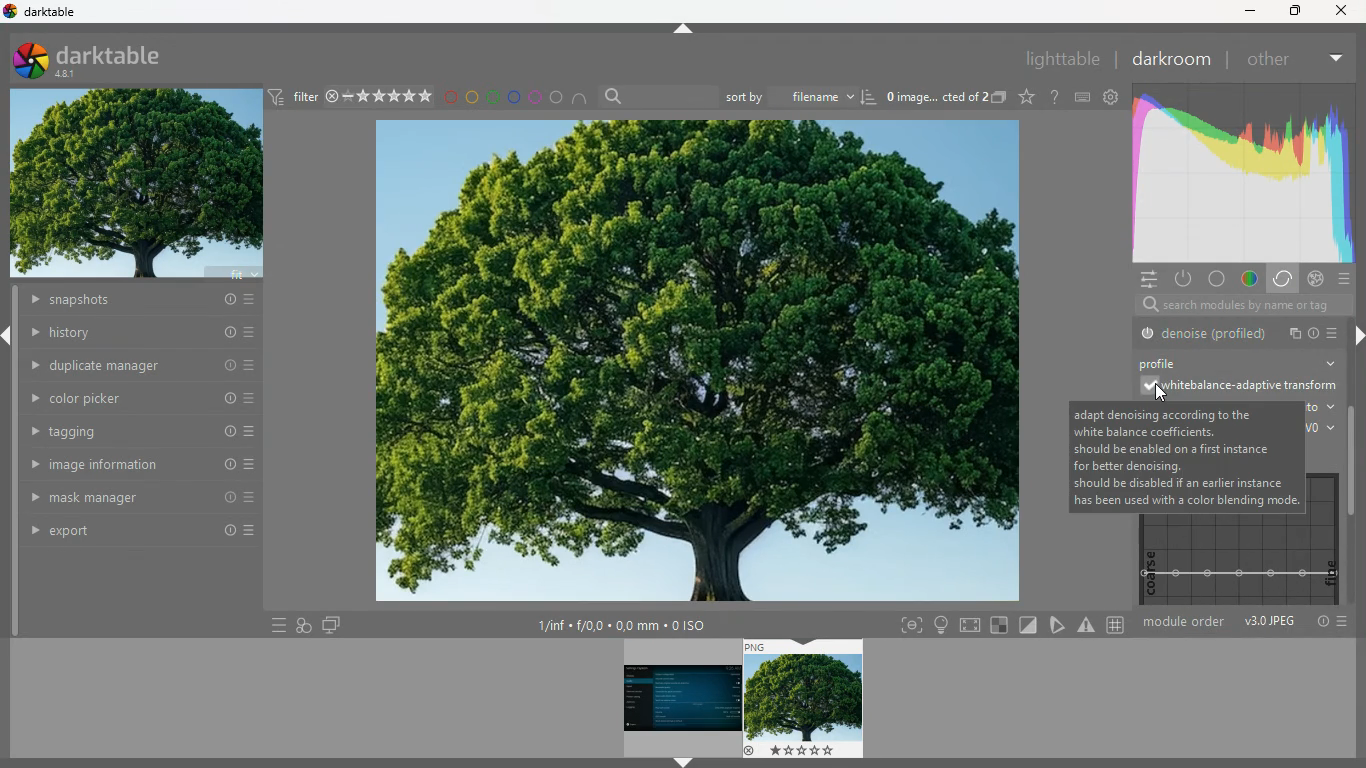  I want to click on image information, so click(131, 464).